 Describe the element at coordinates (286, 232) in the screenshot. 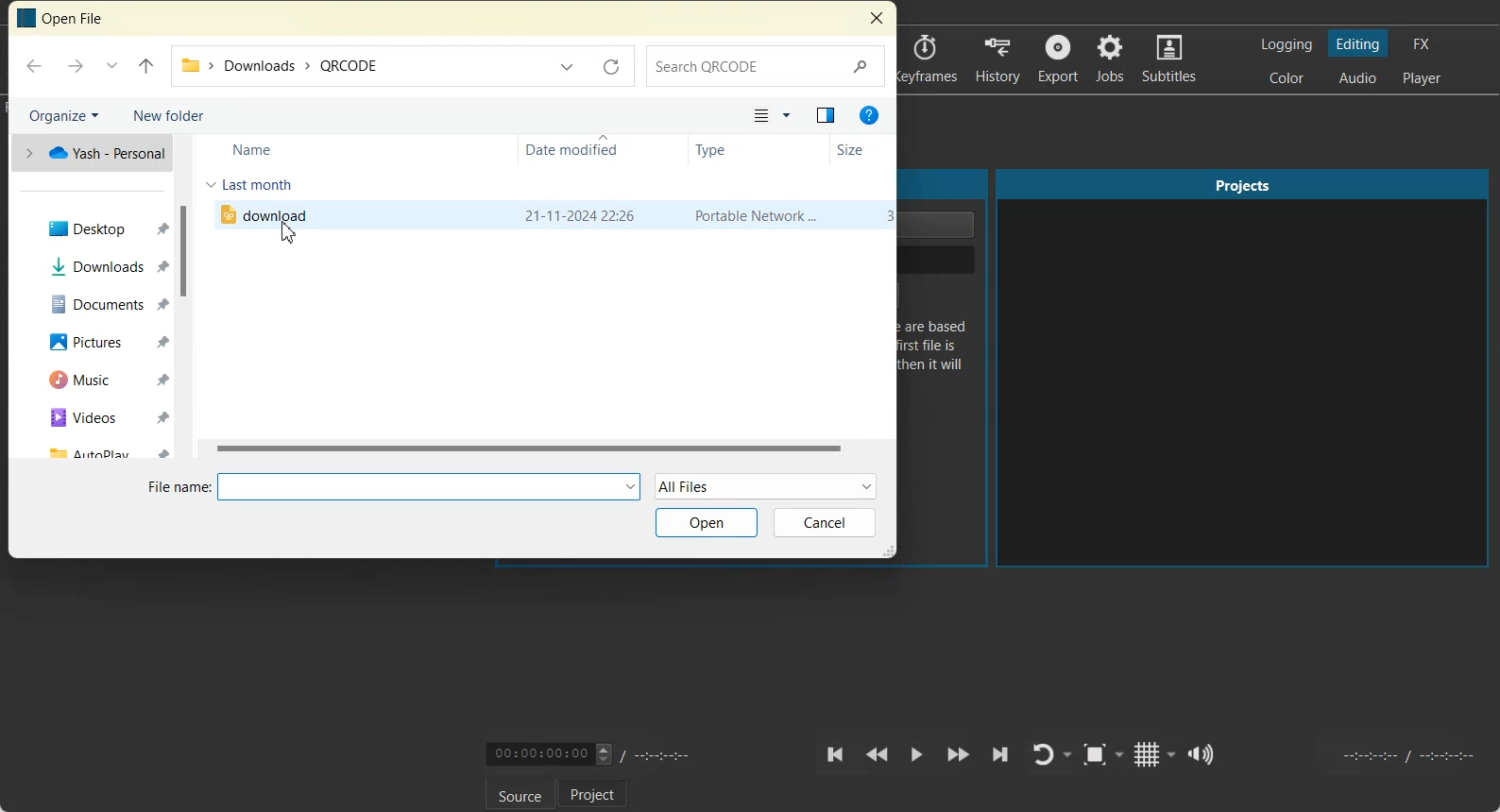

I see `Cursor` at that location.